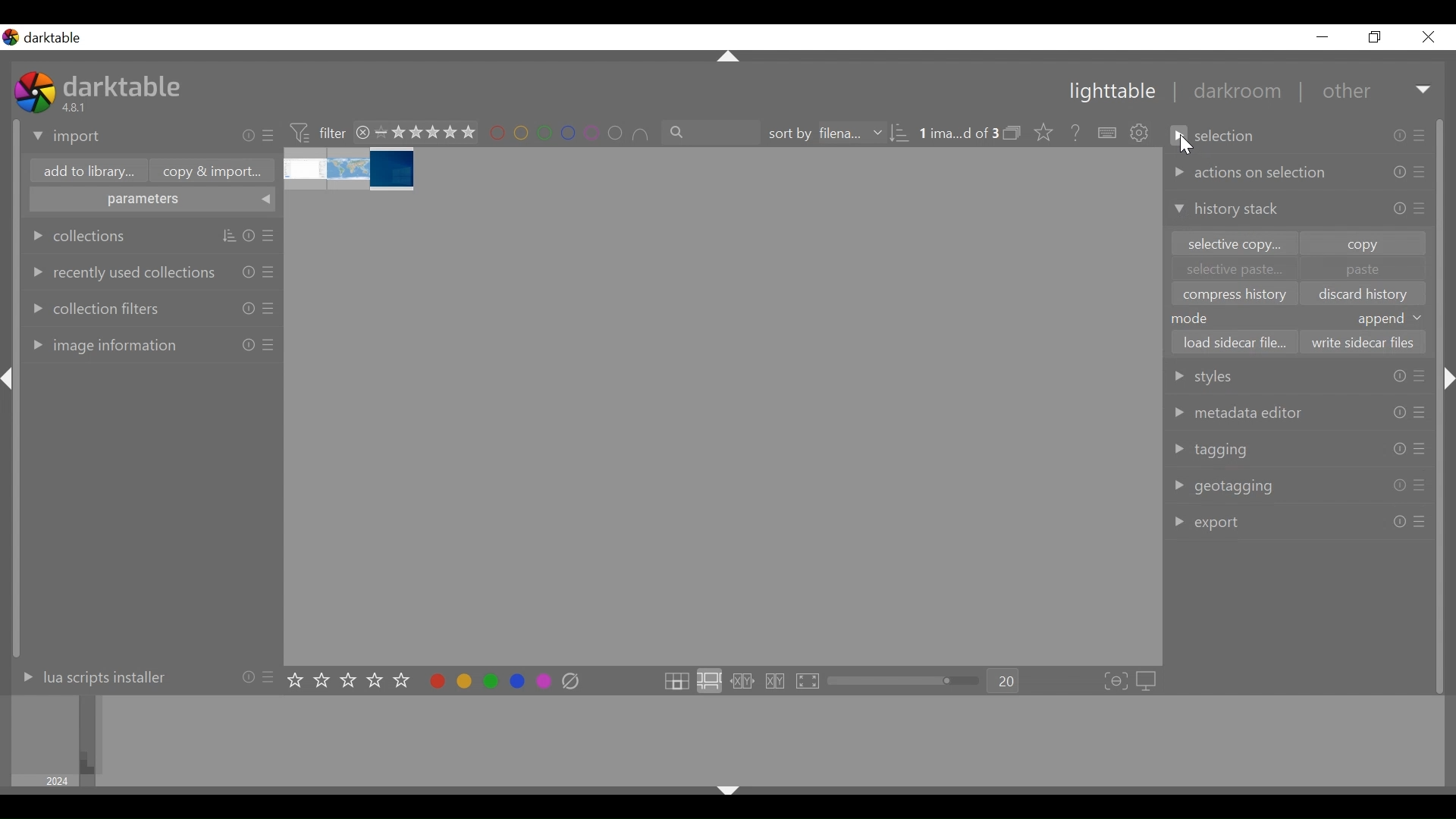  Describe the element at coordinates (270, 308) in the screenshot. I see `presets` at that location.